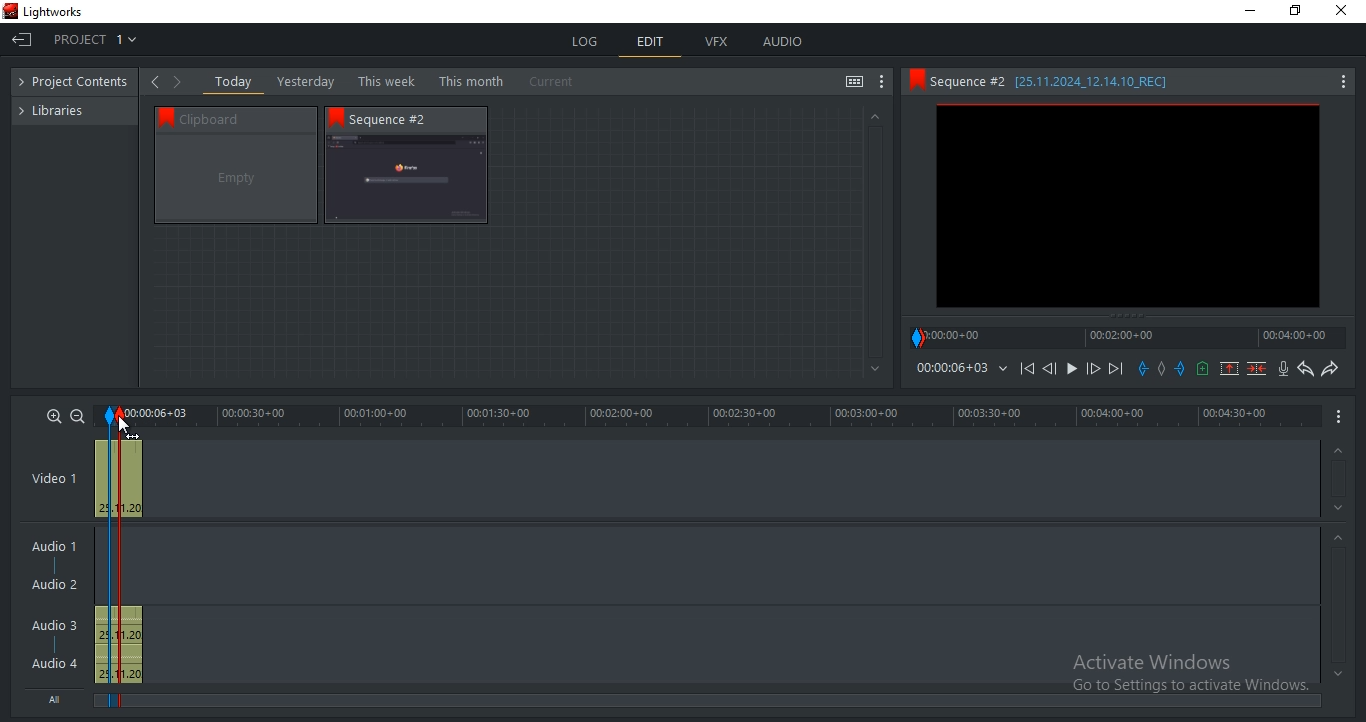 The width and height of the screenshot is (1366, 722). I want to click on Pointer cursor, so click(120, 421).